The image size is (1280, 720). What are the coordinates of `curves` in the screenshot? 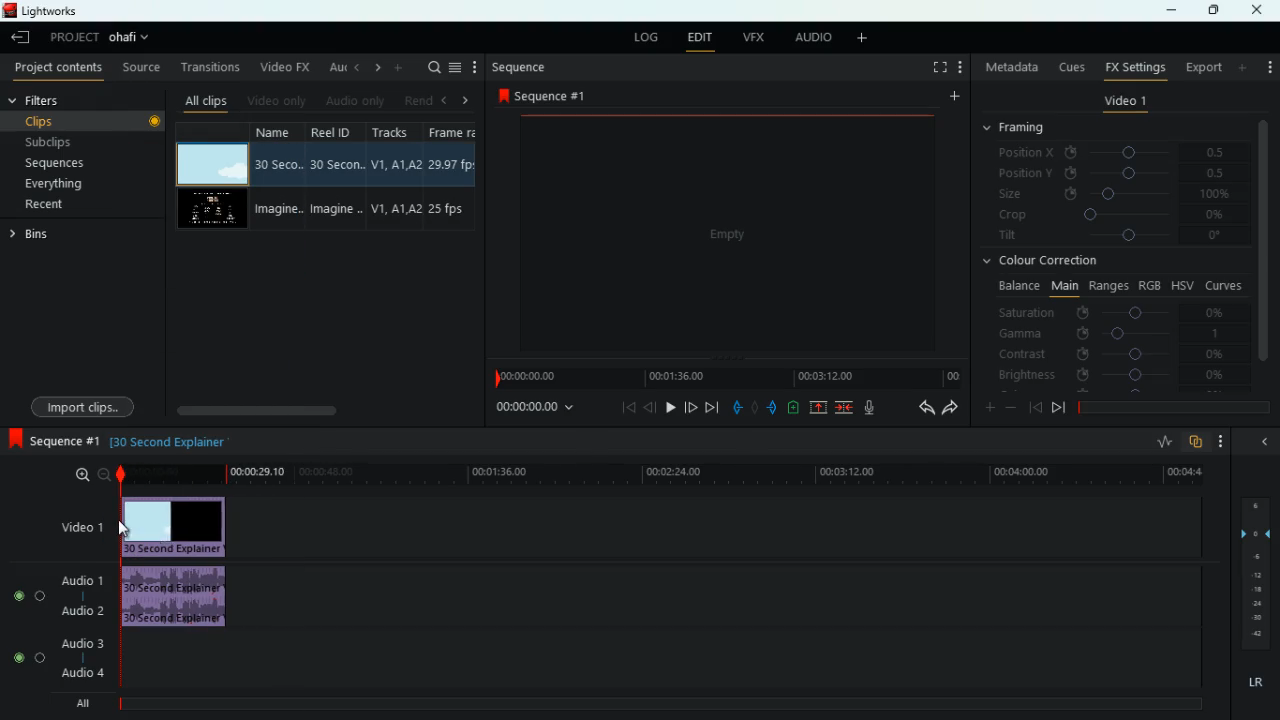 It's located at (1224, 284).